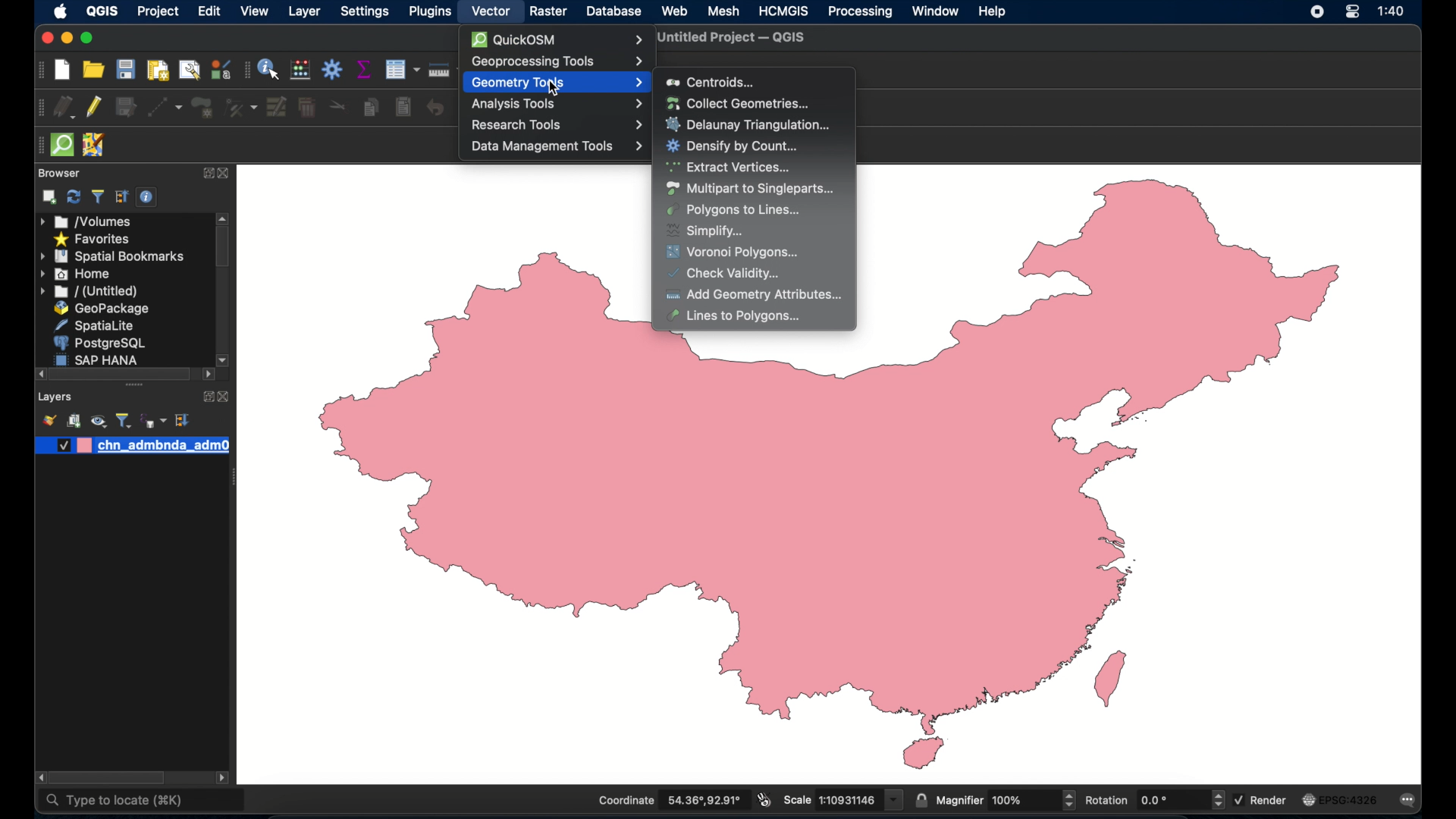  I want to click on spatiallite, so click(93, 325).